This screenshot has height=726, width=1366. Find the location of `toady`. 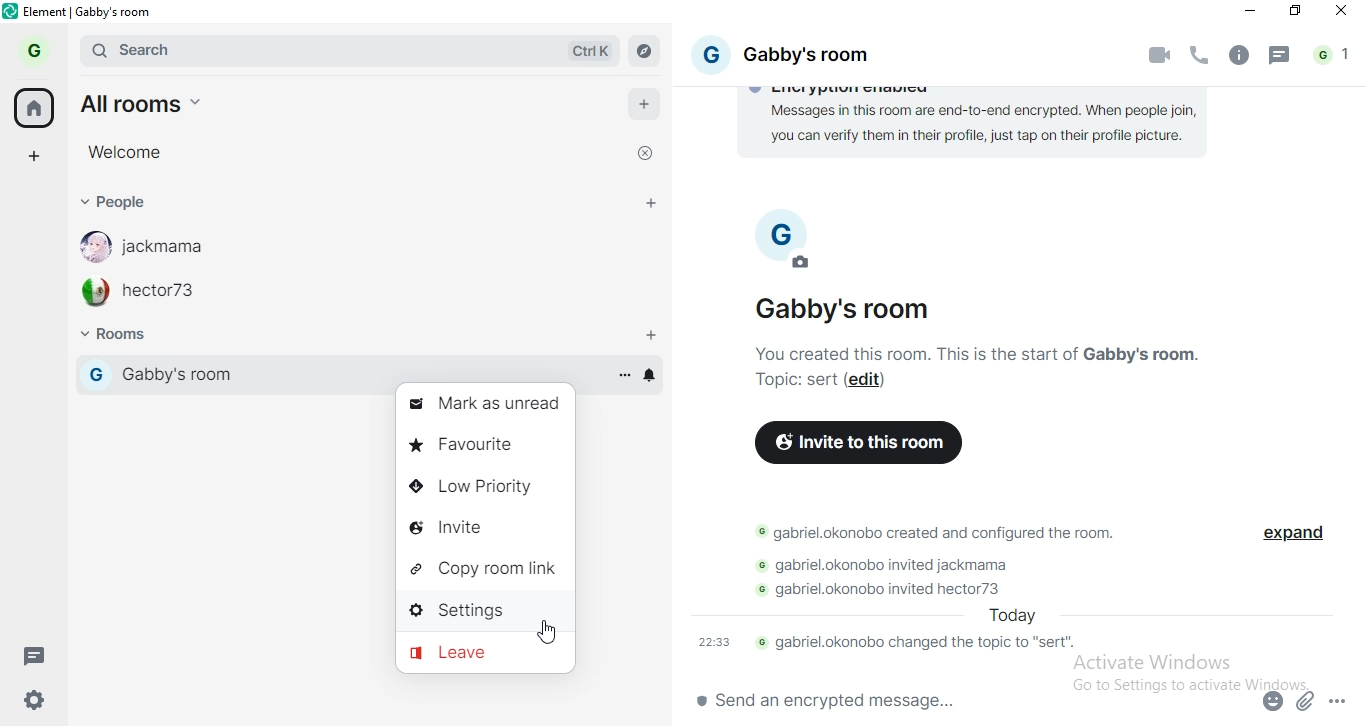

toady is located at coordinates (1009, 616).